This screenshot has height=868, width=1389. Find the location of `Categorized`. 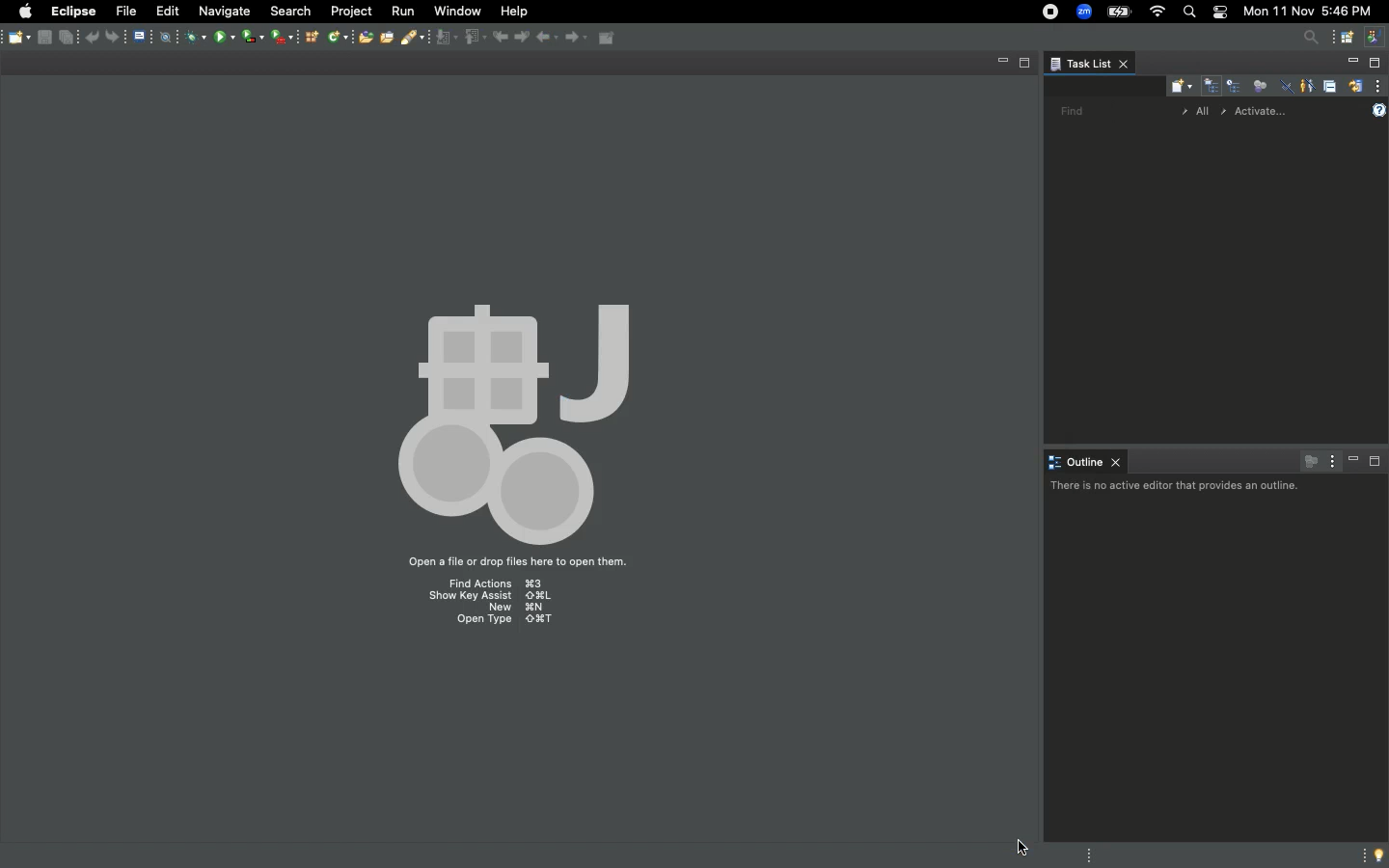

Categorized is located at coordinates (1211, 85).